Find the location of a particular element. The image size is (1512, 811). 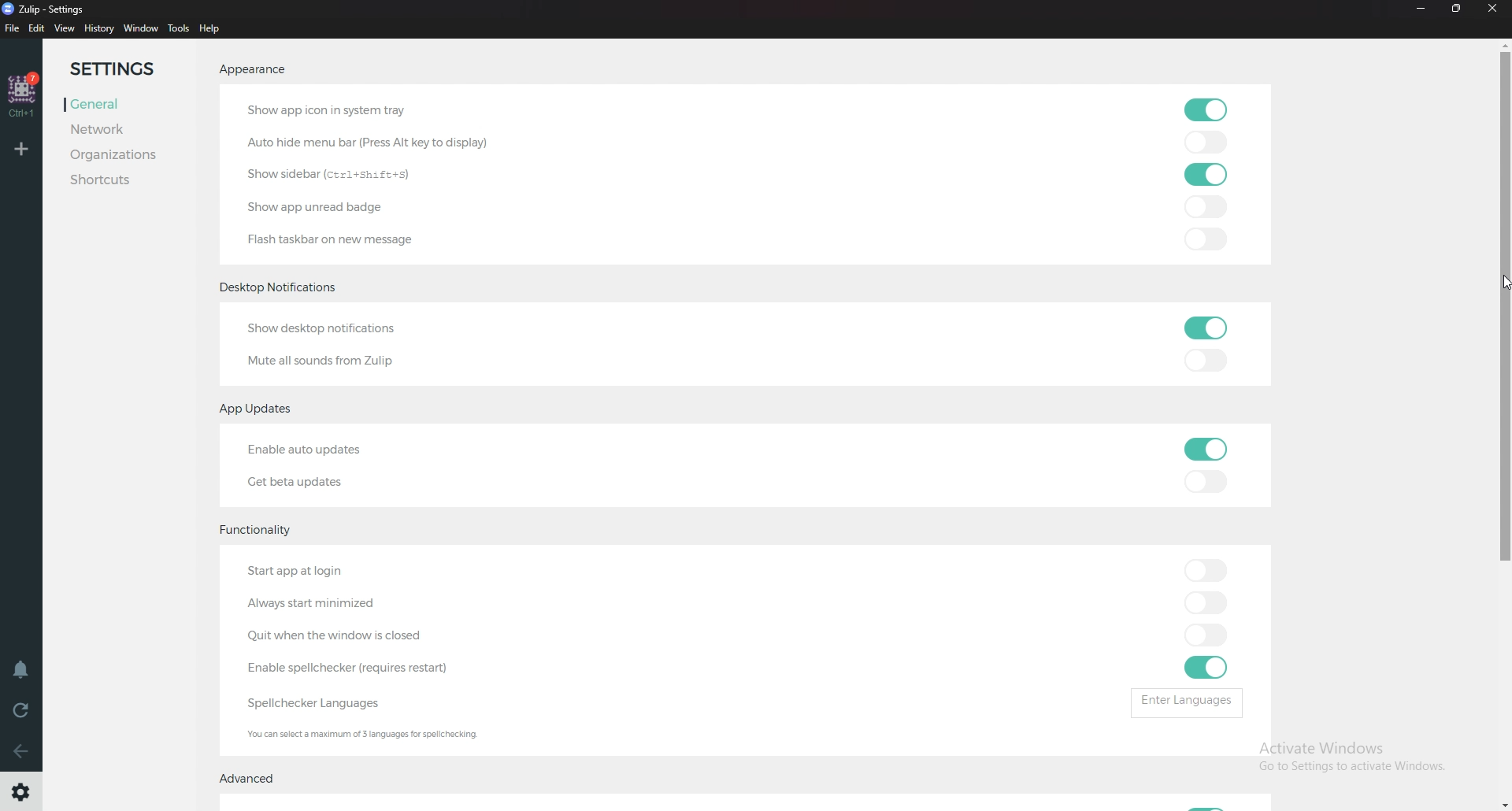

Advanced is located at coordinates (250, 780).